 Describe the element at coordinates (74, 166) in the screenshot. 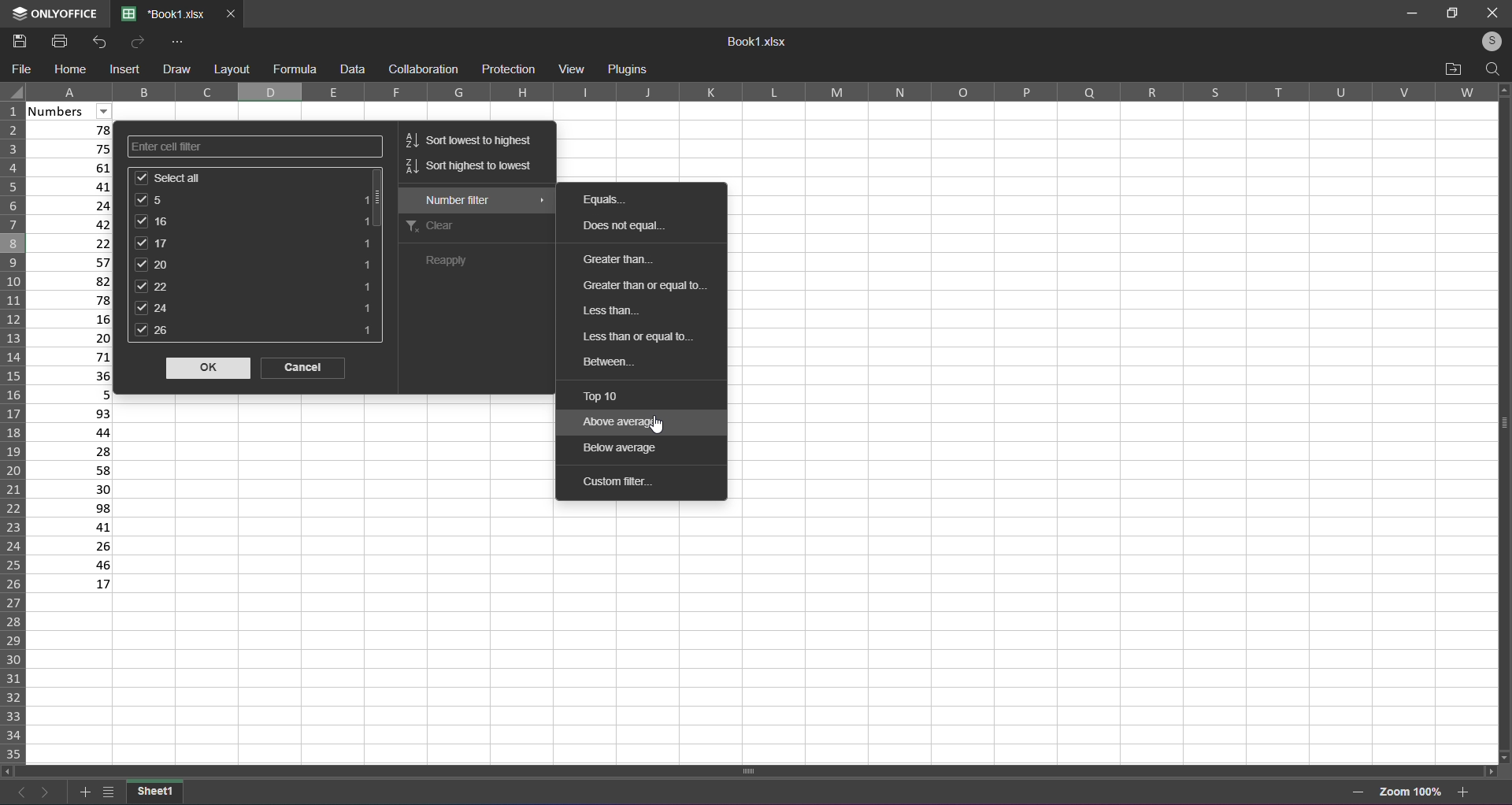

I see `61` at that location.